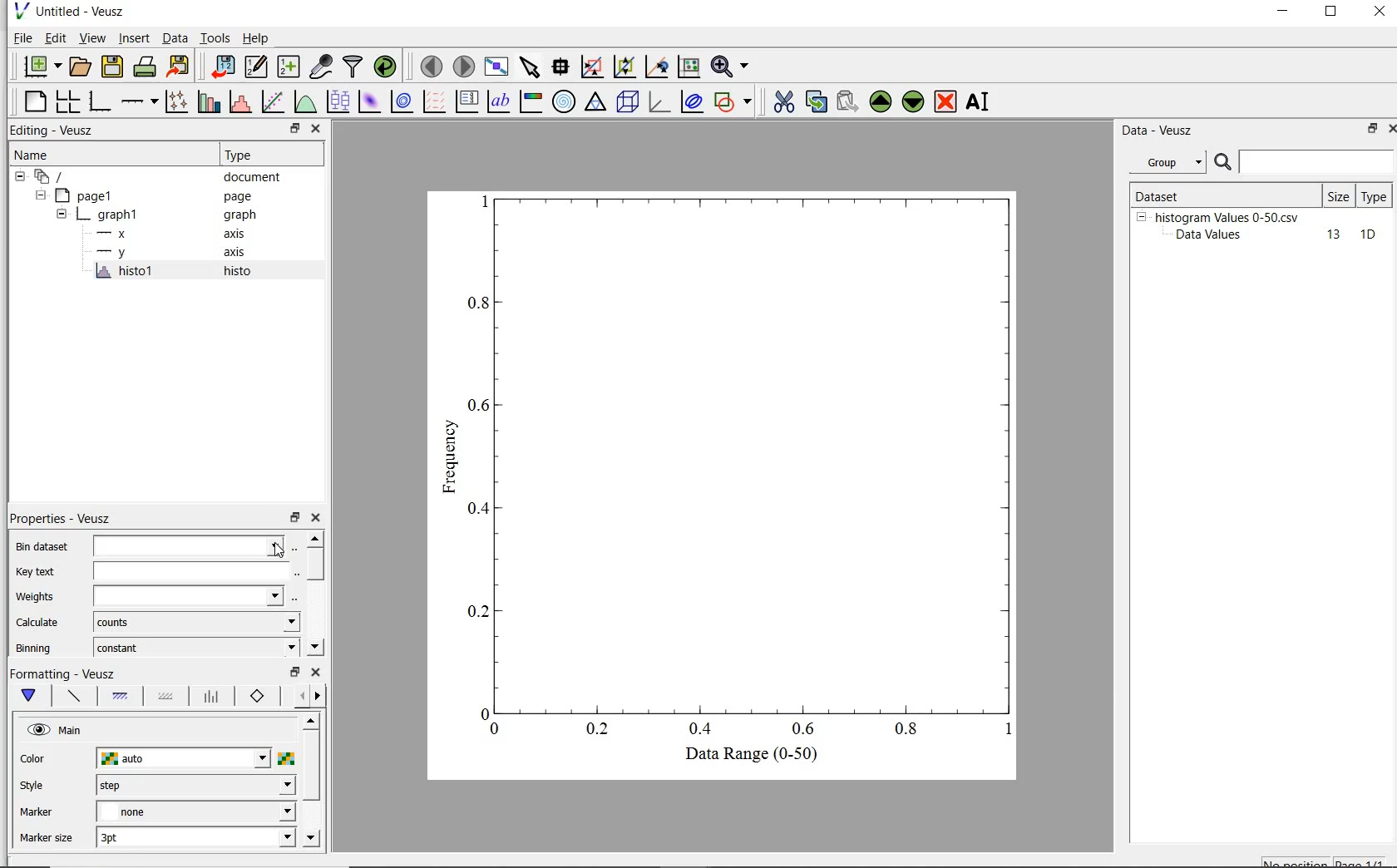 The image size is (1397, 868). I want to click on edit and create new datasets, so click(256, 66).